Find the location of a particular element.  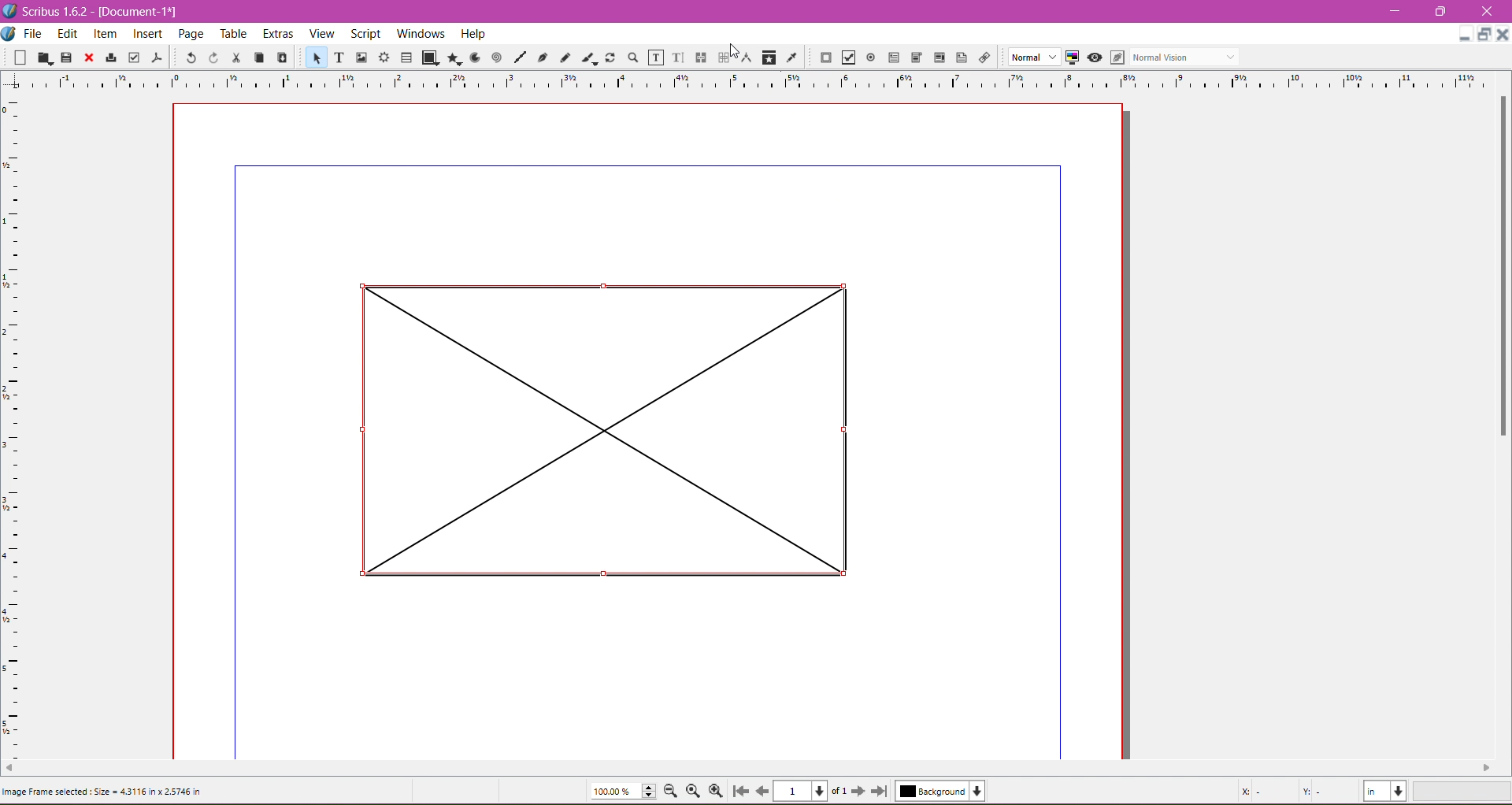

Image Frame is located at coordinates (362, 57).